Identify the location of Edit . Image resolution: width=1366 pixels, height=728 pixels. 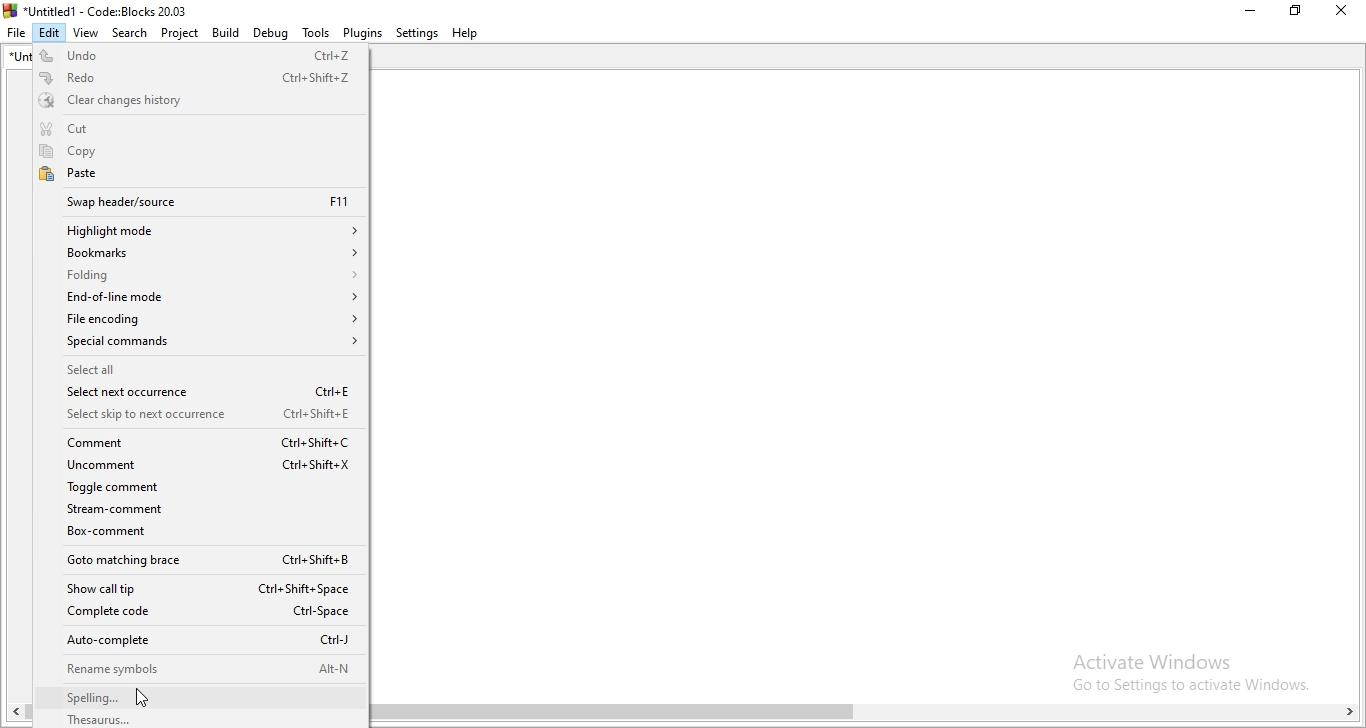
(48, 31).